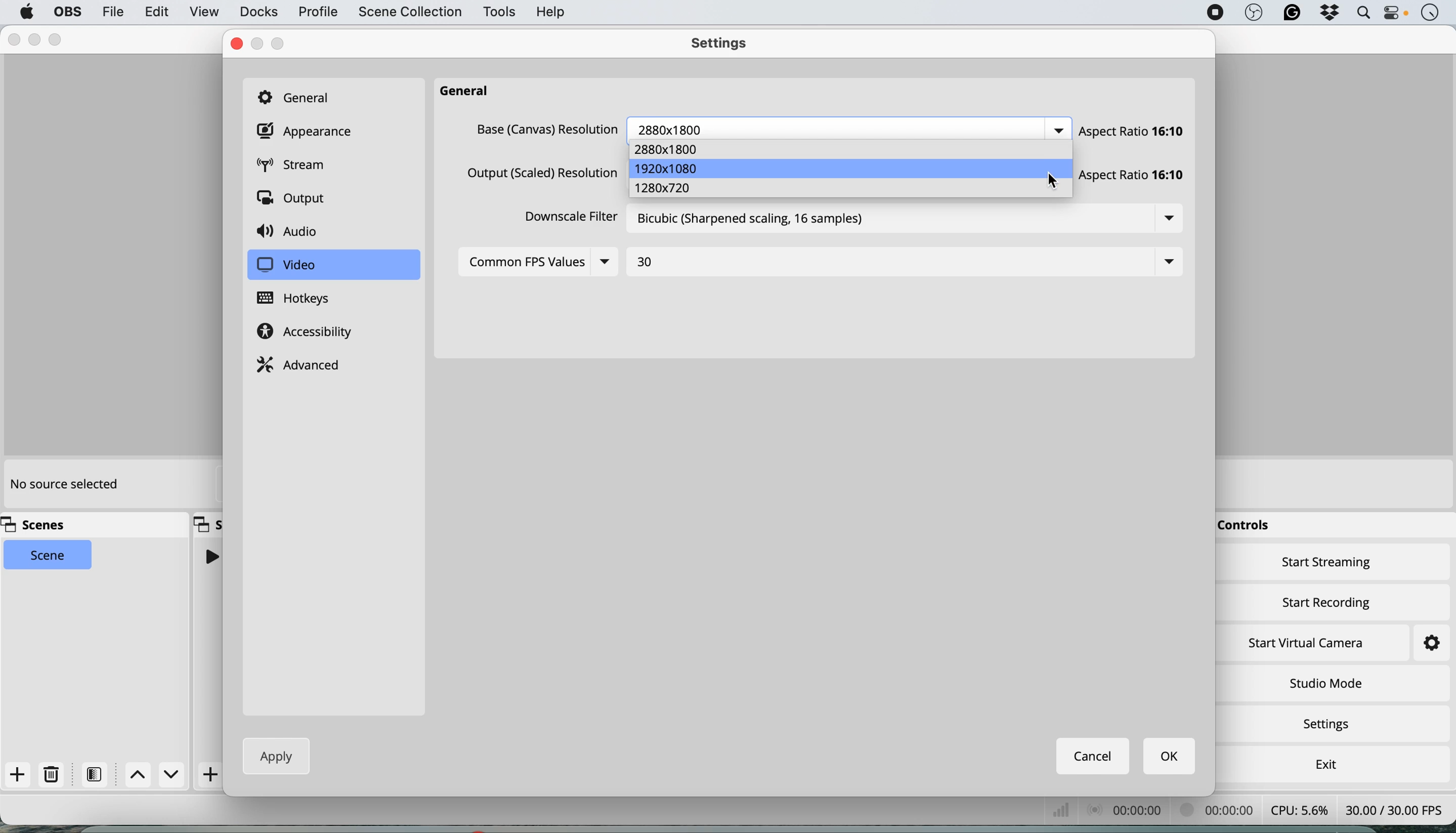 The height and width of the screenshot is (833, 1456). I want to click on common fps value, so click(526, 261).